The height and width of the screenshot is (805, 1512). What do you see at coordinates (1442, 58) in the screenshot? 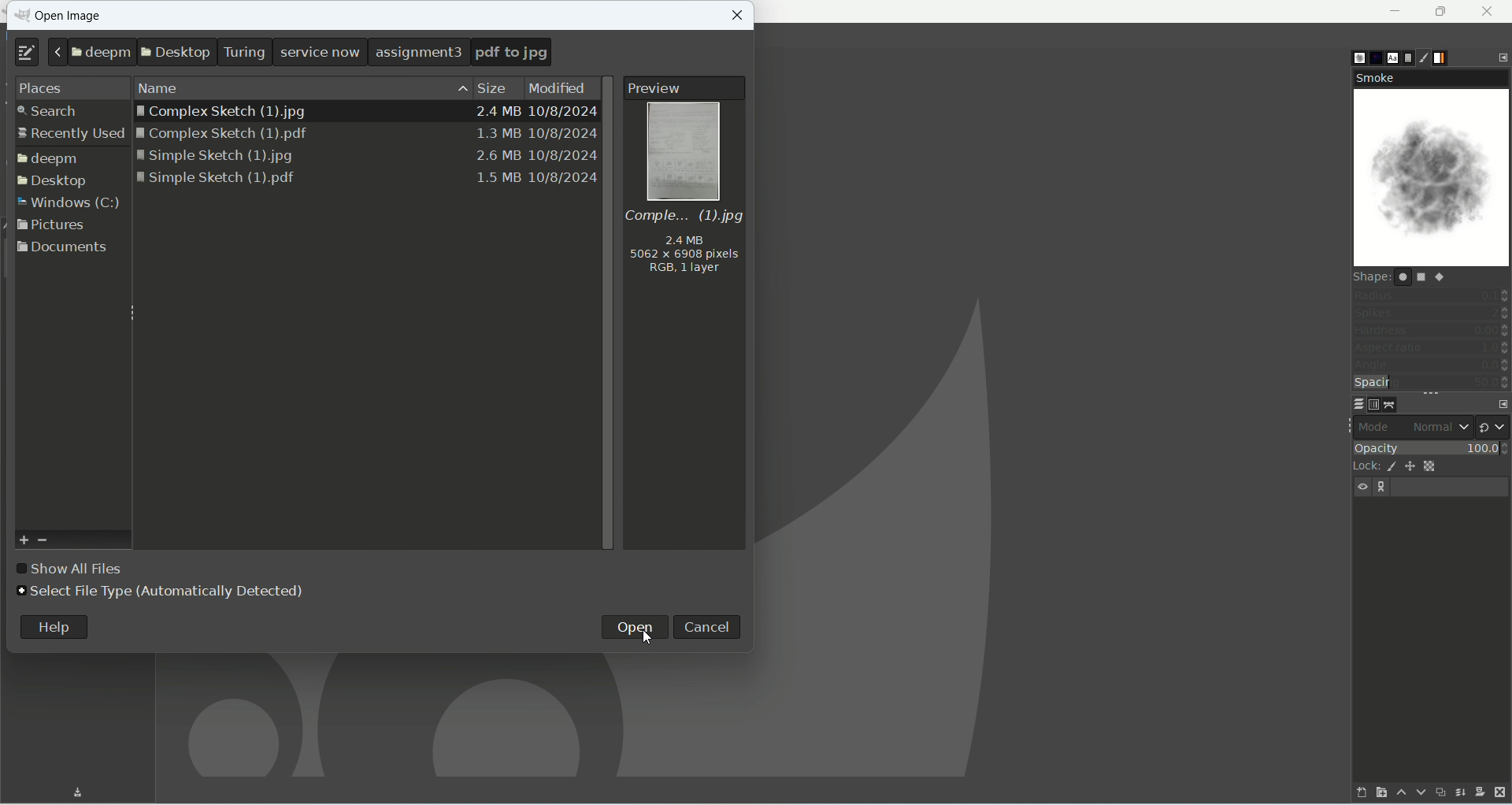
I see `gradients` at bounding box center [1442, 58].